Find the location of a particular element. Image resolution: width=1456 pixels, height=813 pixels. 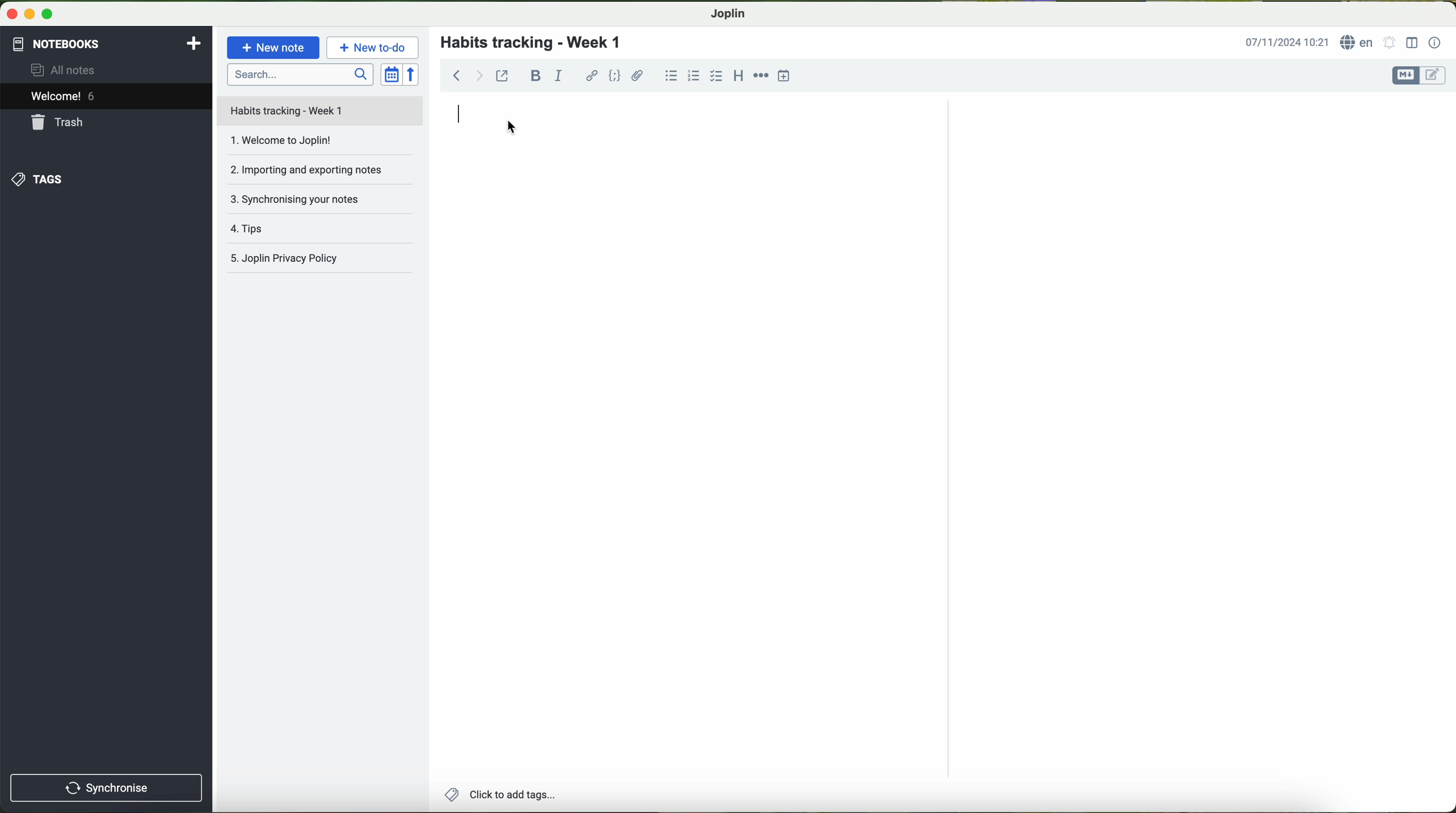

code is located at coordinates (616, 76).